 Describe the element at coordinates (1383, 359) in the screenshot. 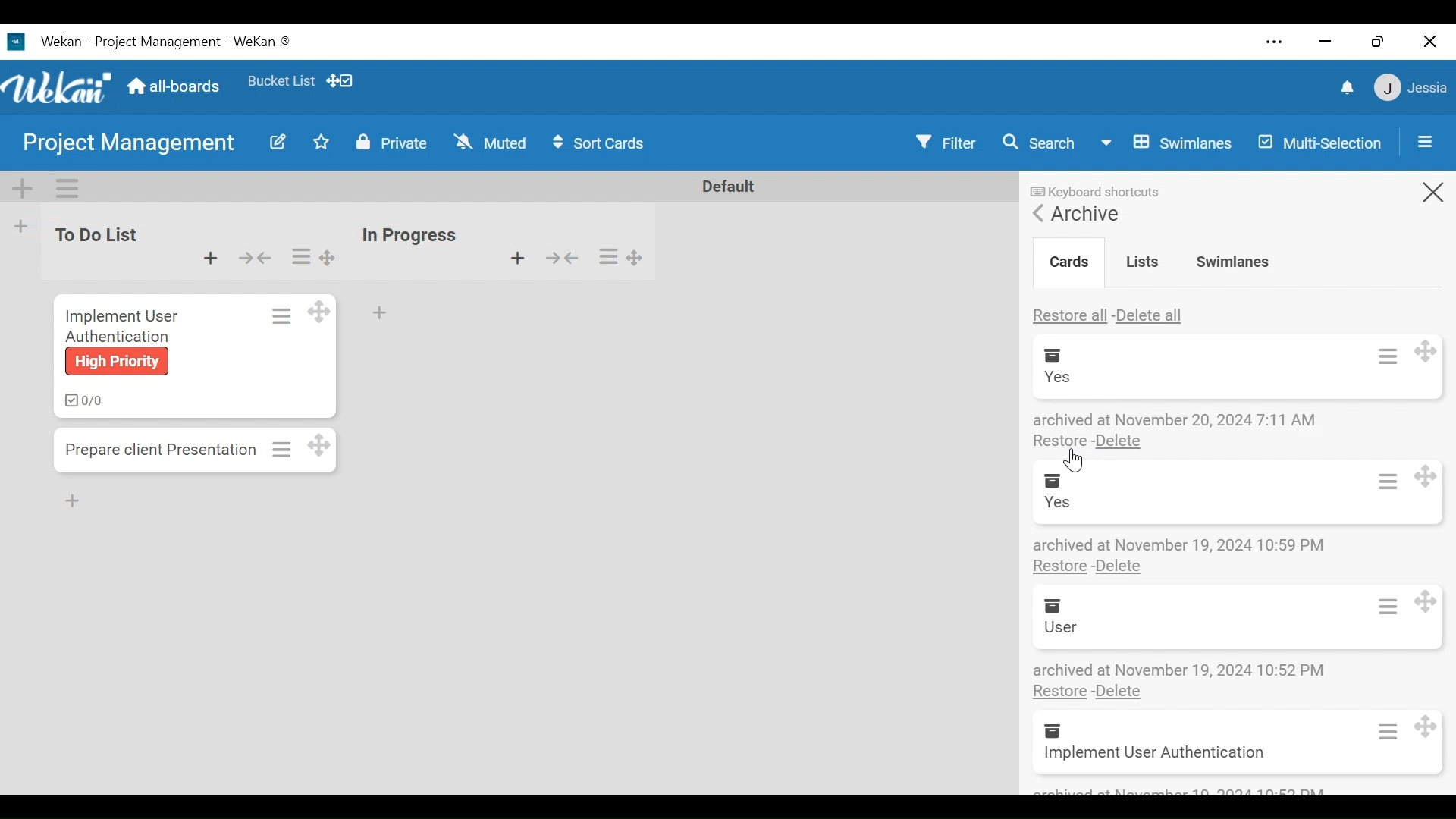

I see `Card actions` at that location.